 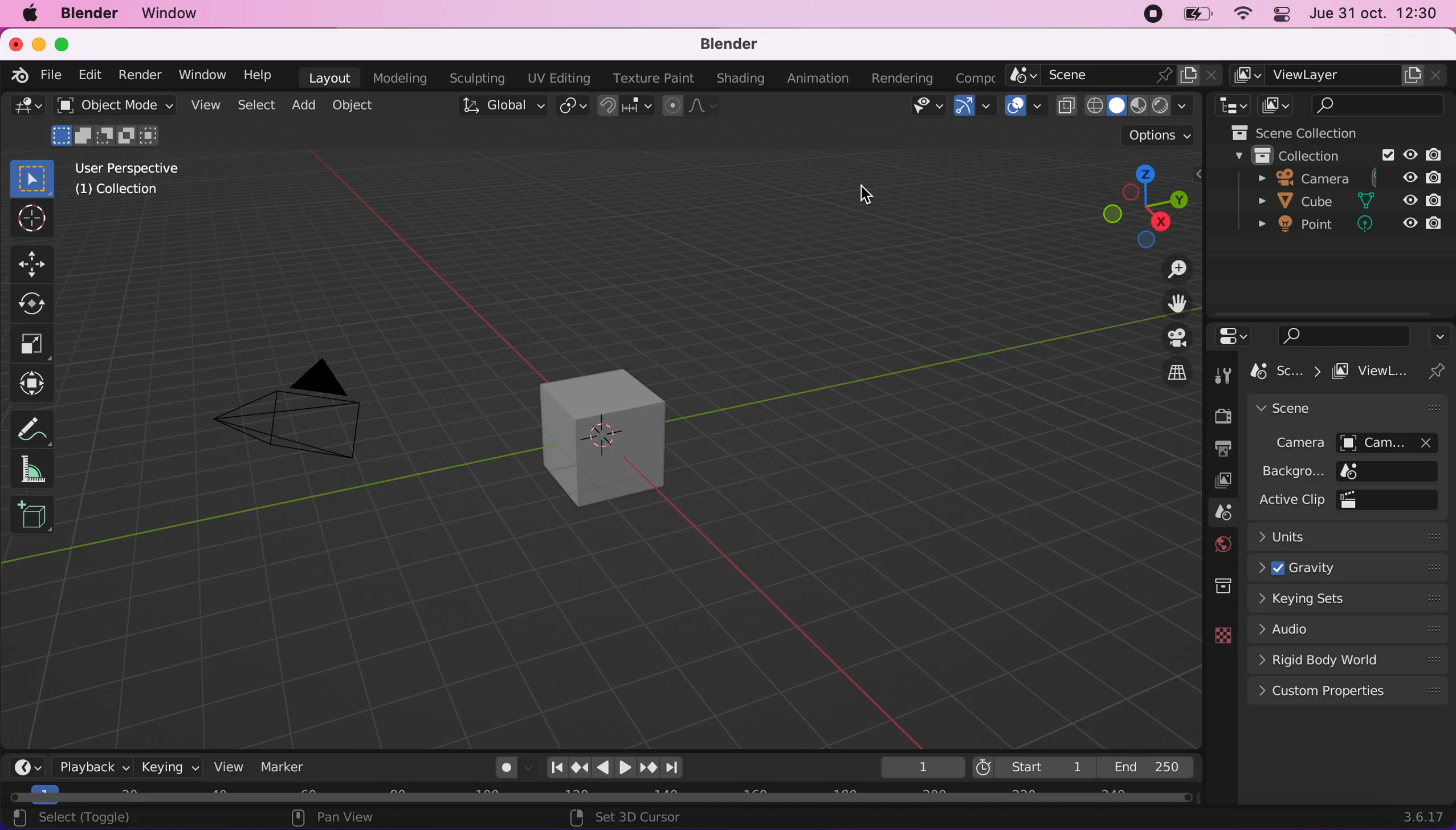 What do you see at coordinates (1150, 767) in the screenshot?
I see `end 250` at bounding box center [1150, 767].